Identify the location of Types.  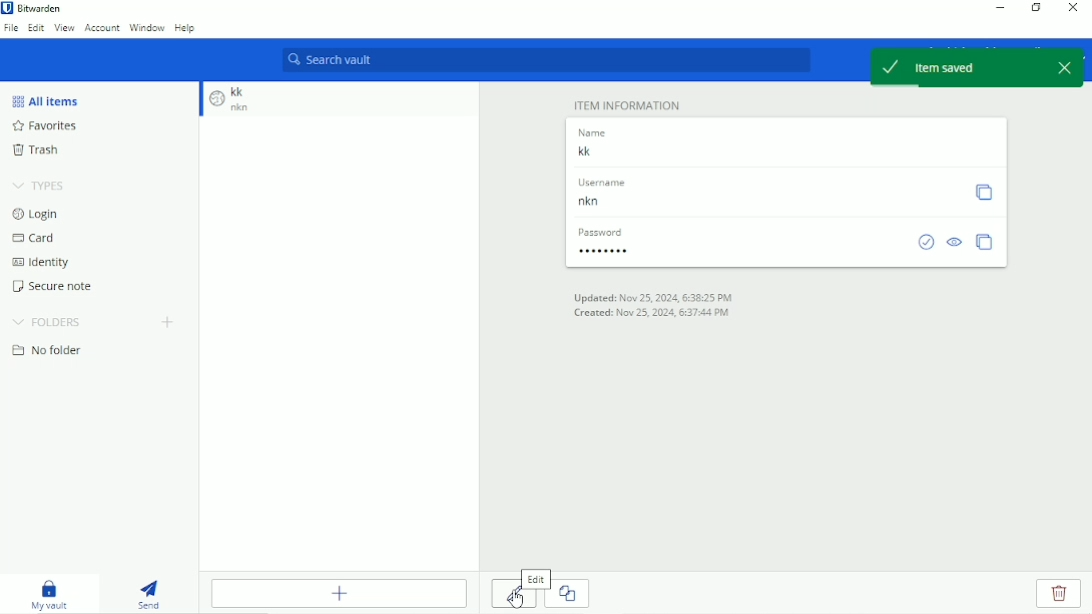
(42, 186).